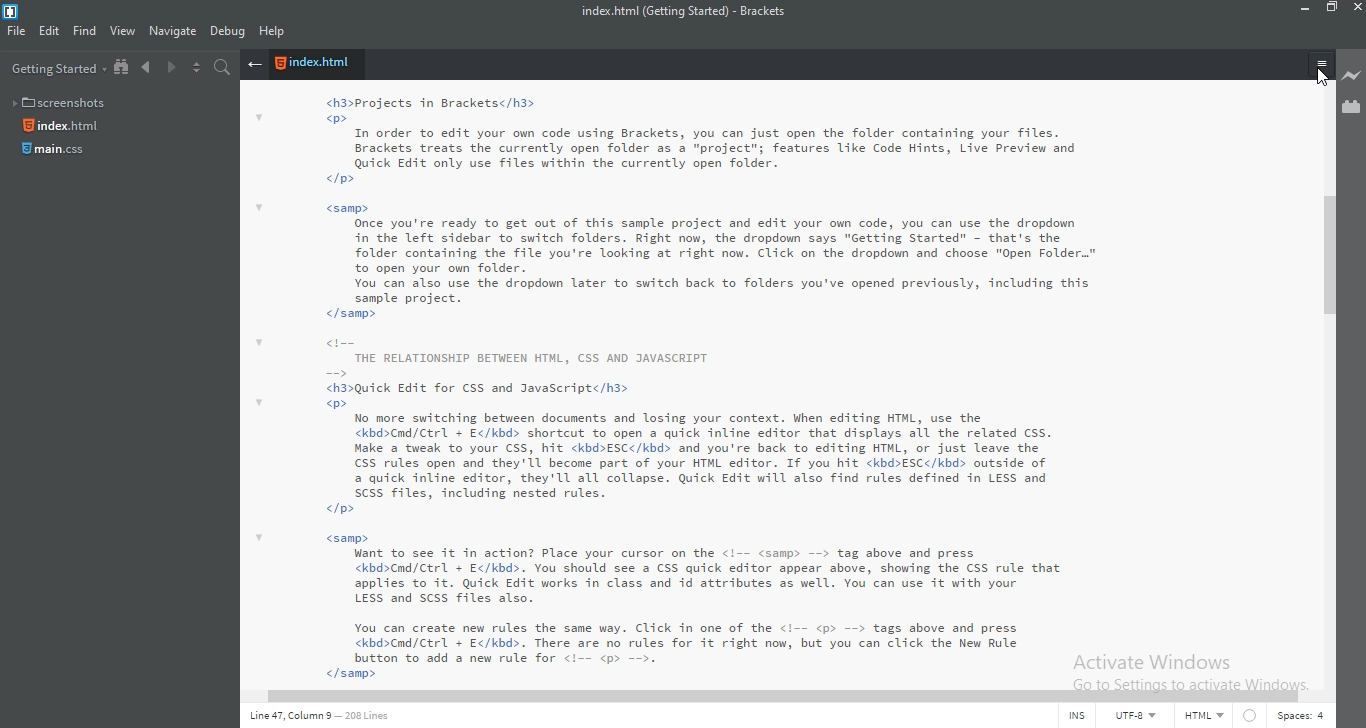 The width and height of the screenshot is (1366, 728). What do you see at coordinates (316, 65) in the screenshot?
I see `Index.html` at bounding box center [316, 65].